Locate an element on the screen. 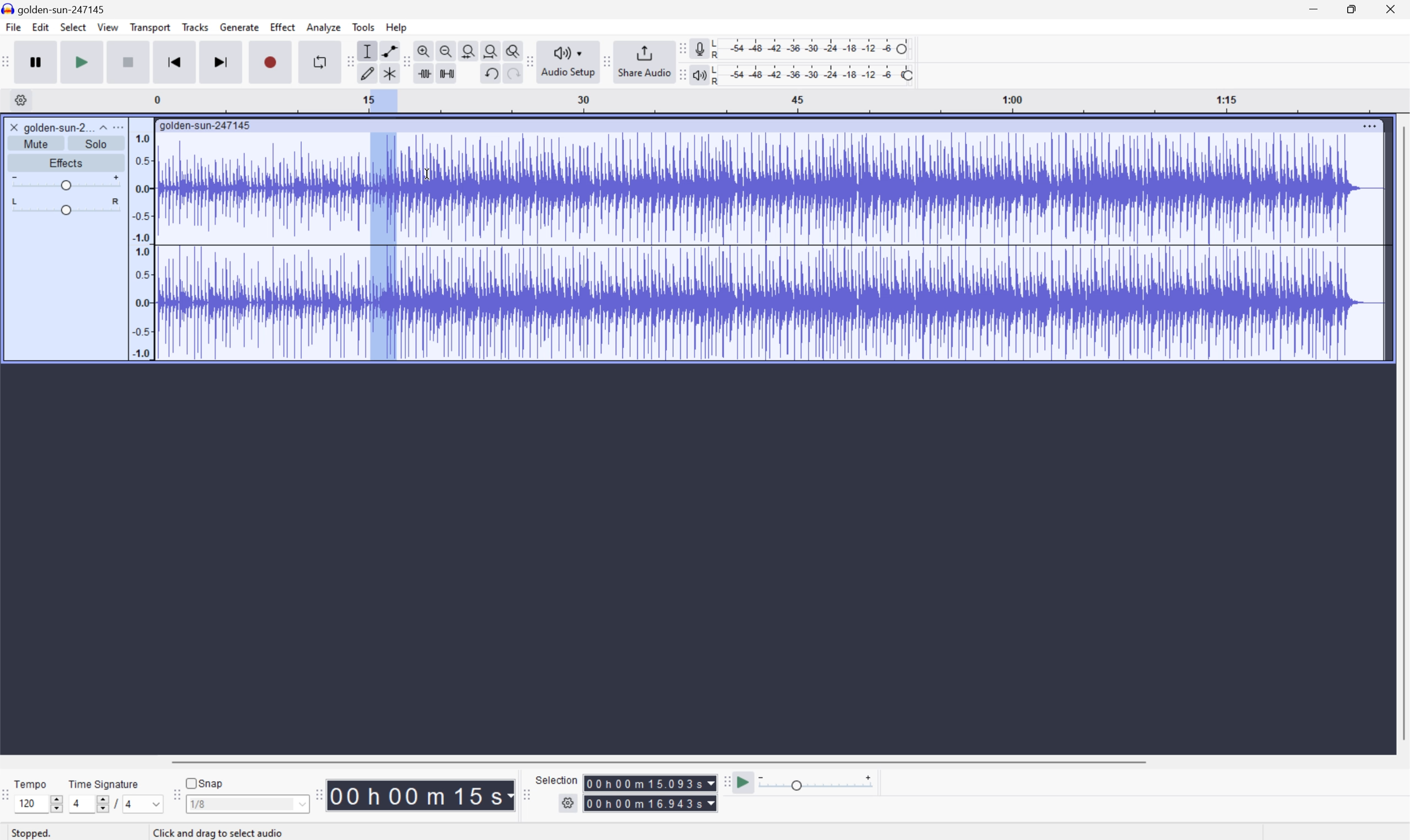  Drop Down is located at coordinates (101, 125).